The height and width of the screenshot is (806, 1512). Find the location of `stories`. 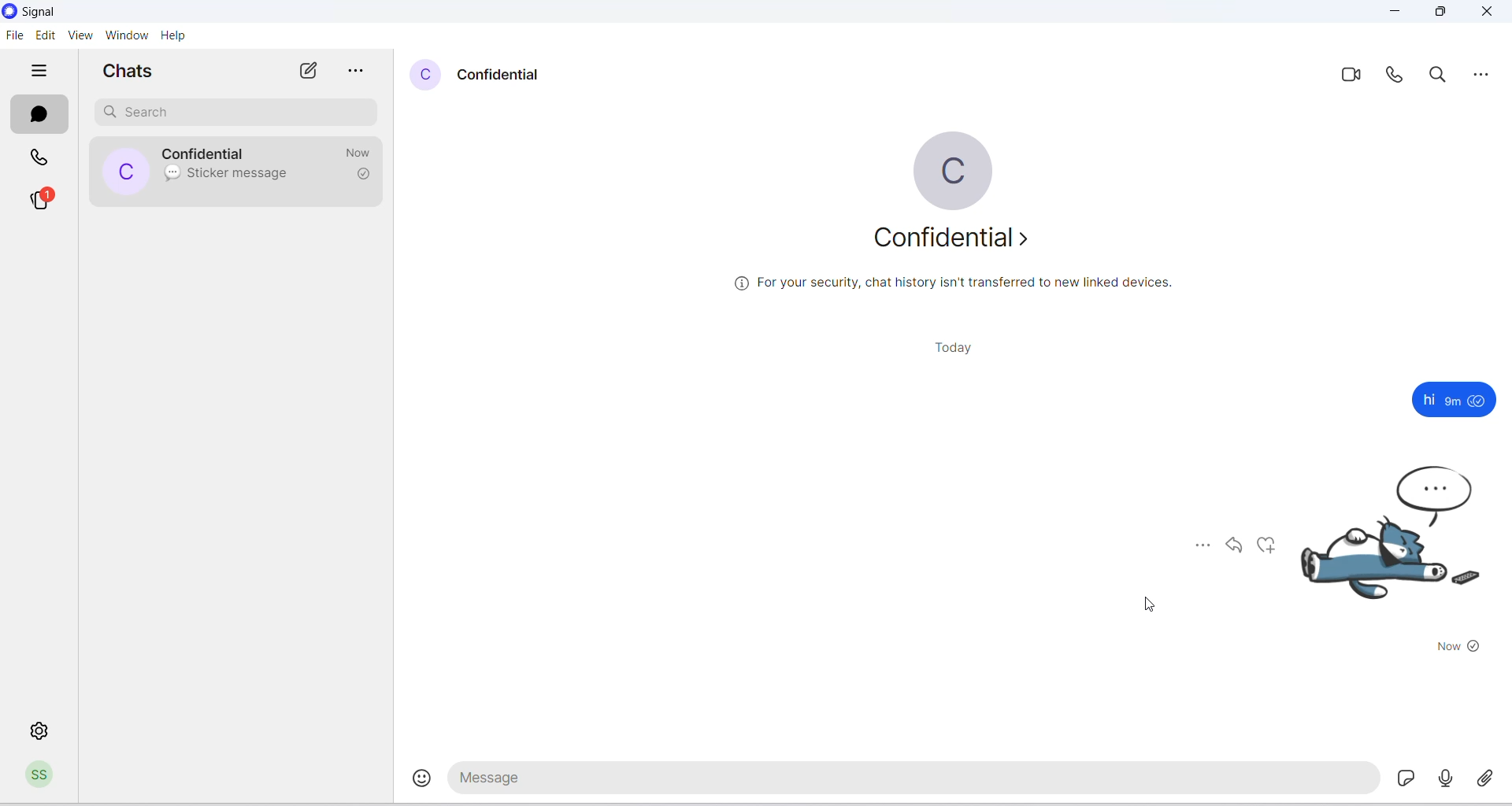

stories is located at coordinates (50, 199).